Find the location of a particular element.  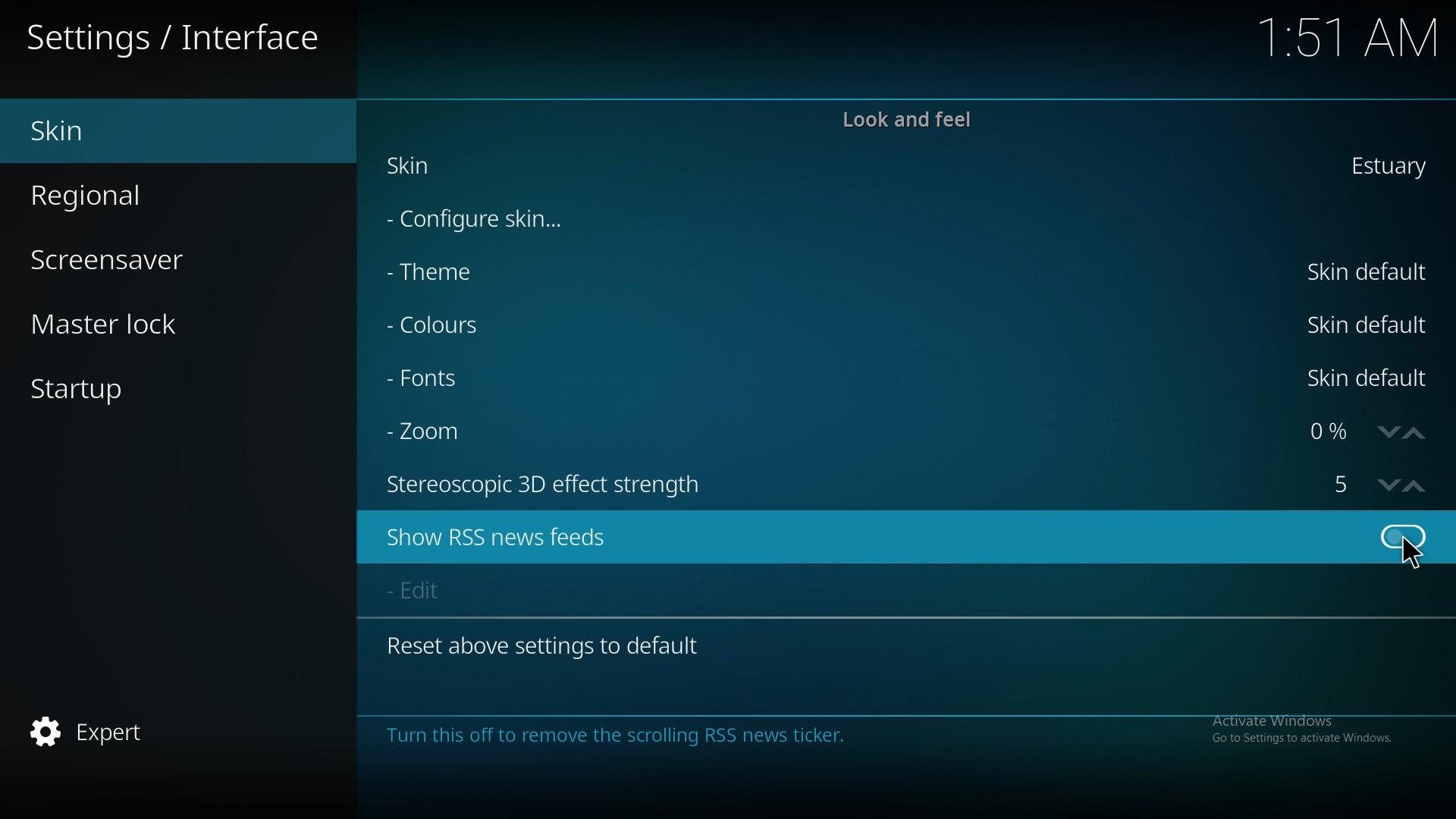

reset to default is located at coordinates (551, 645).